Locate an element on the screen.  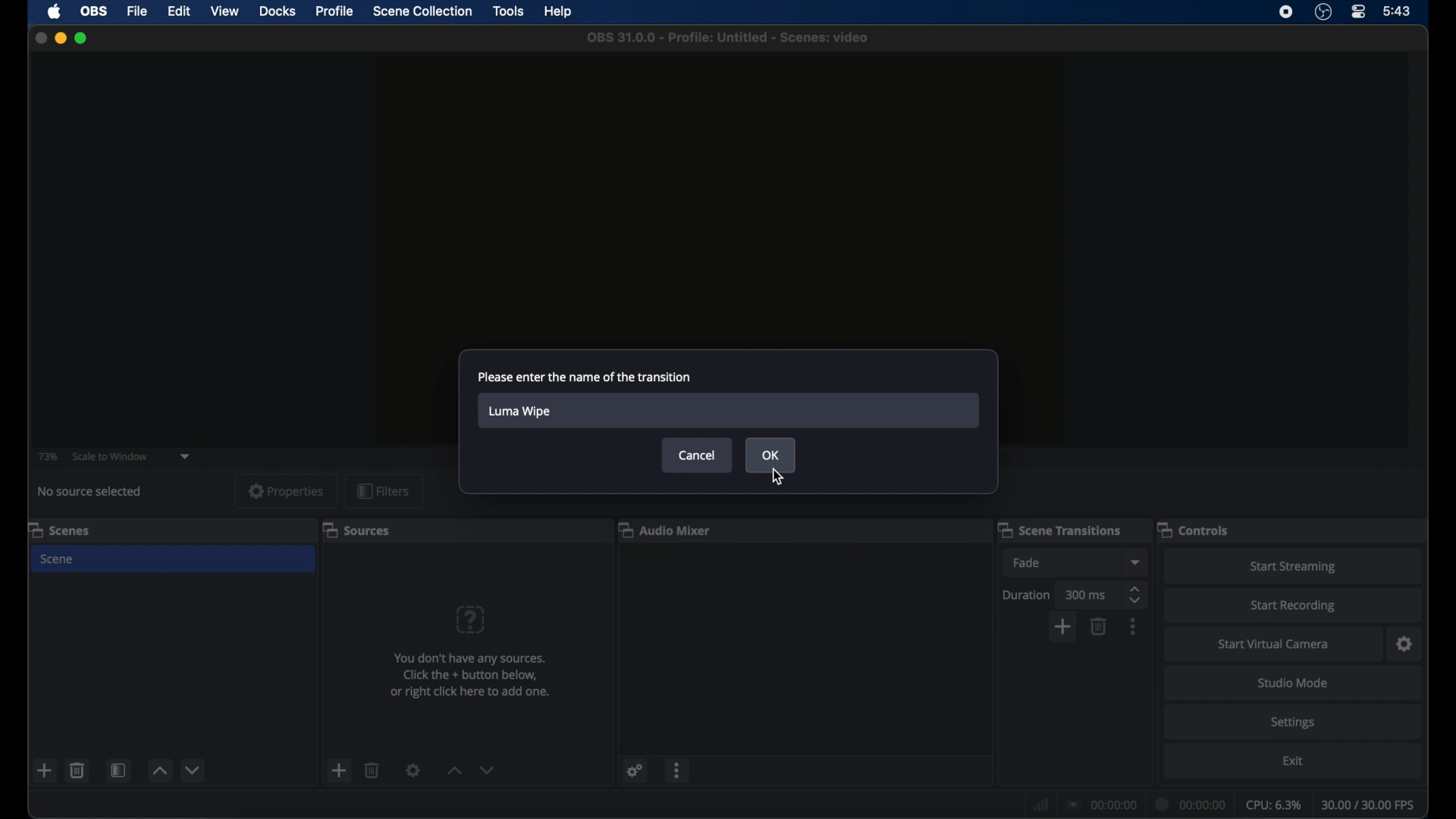
file name is located at coordinates (730, 37).